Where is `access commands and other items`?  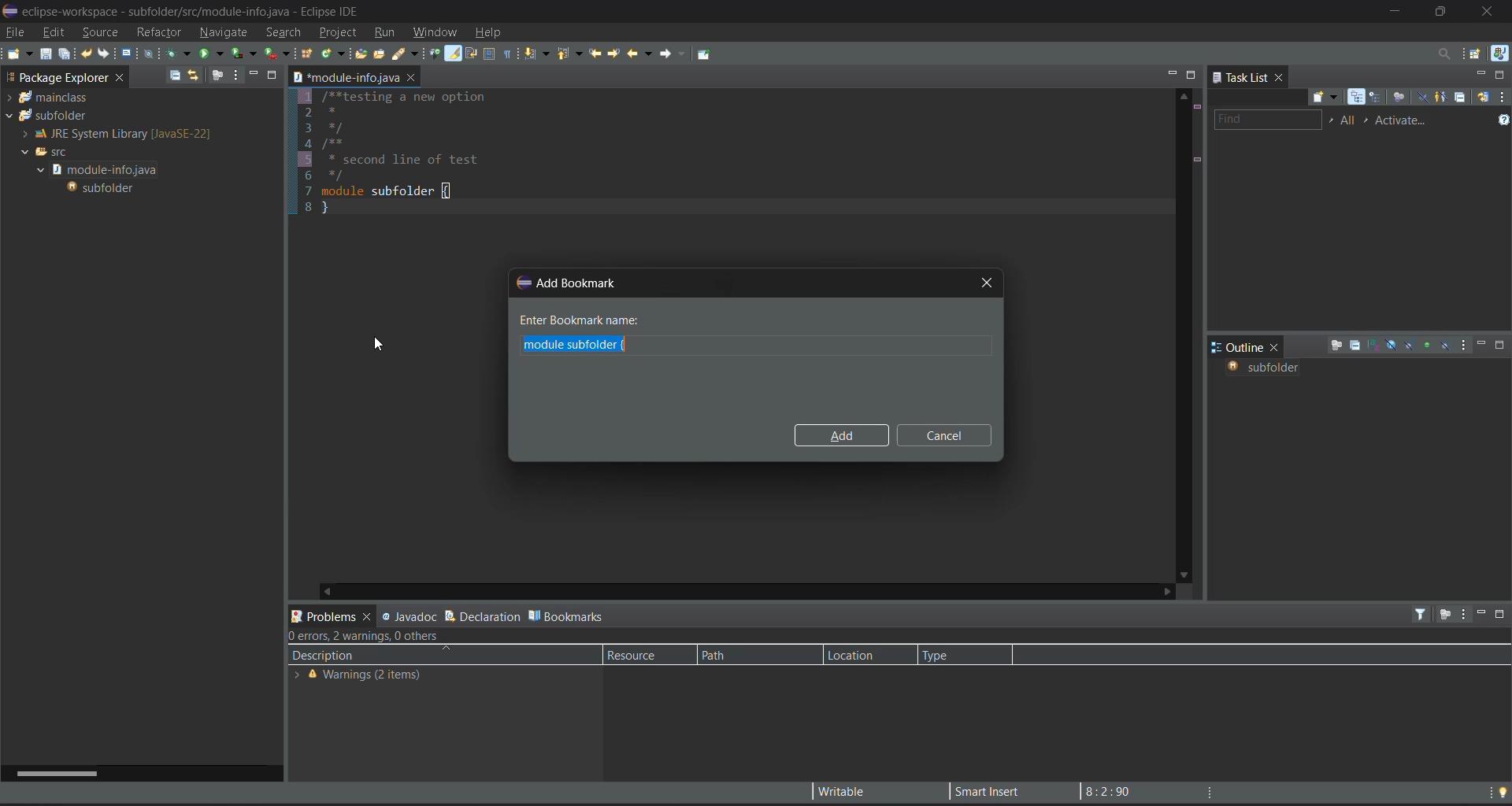
access commands and other items is located at coordinates (1443, 54).